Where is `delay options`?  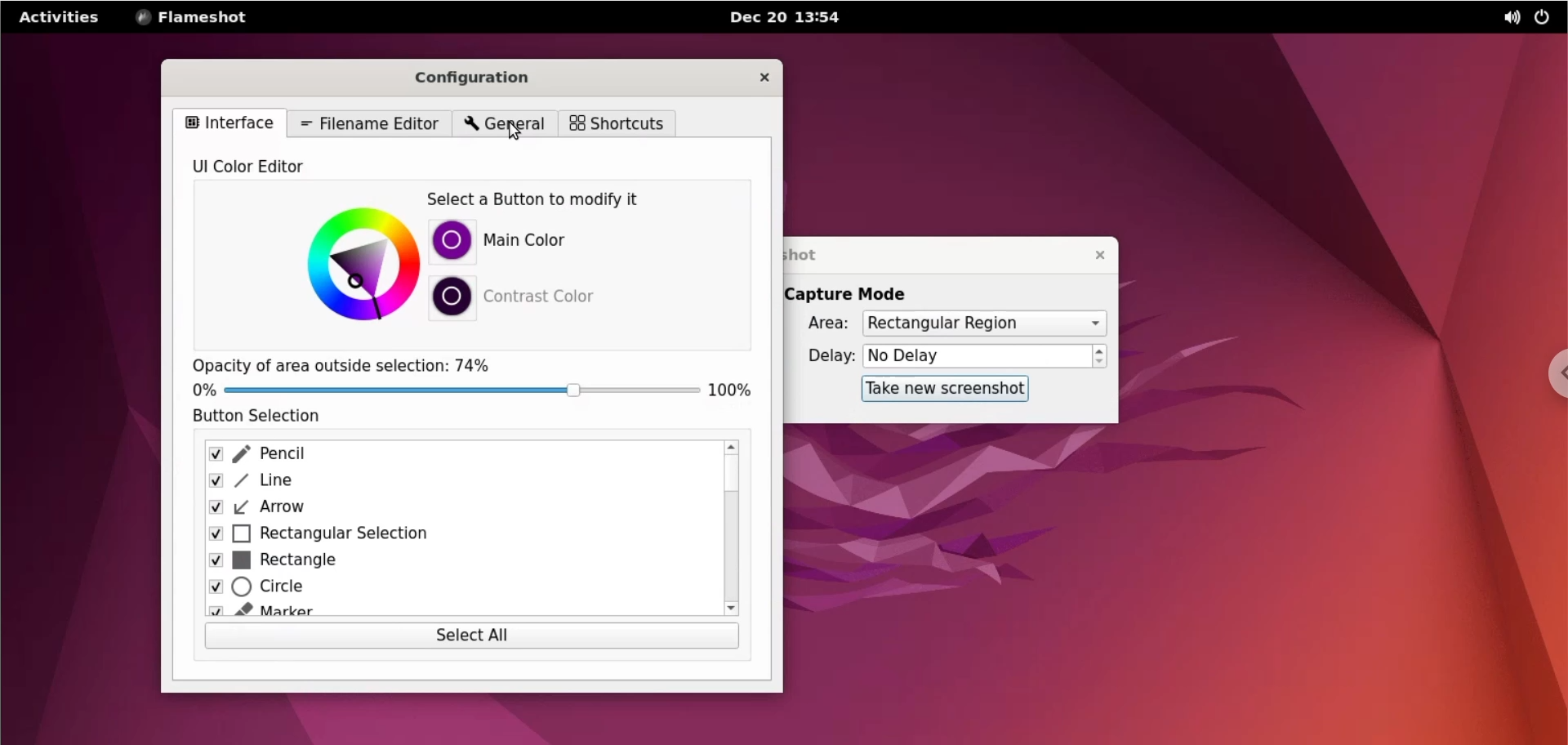
delay options is located at coordinates (976, 356).